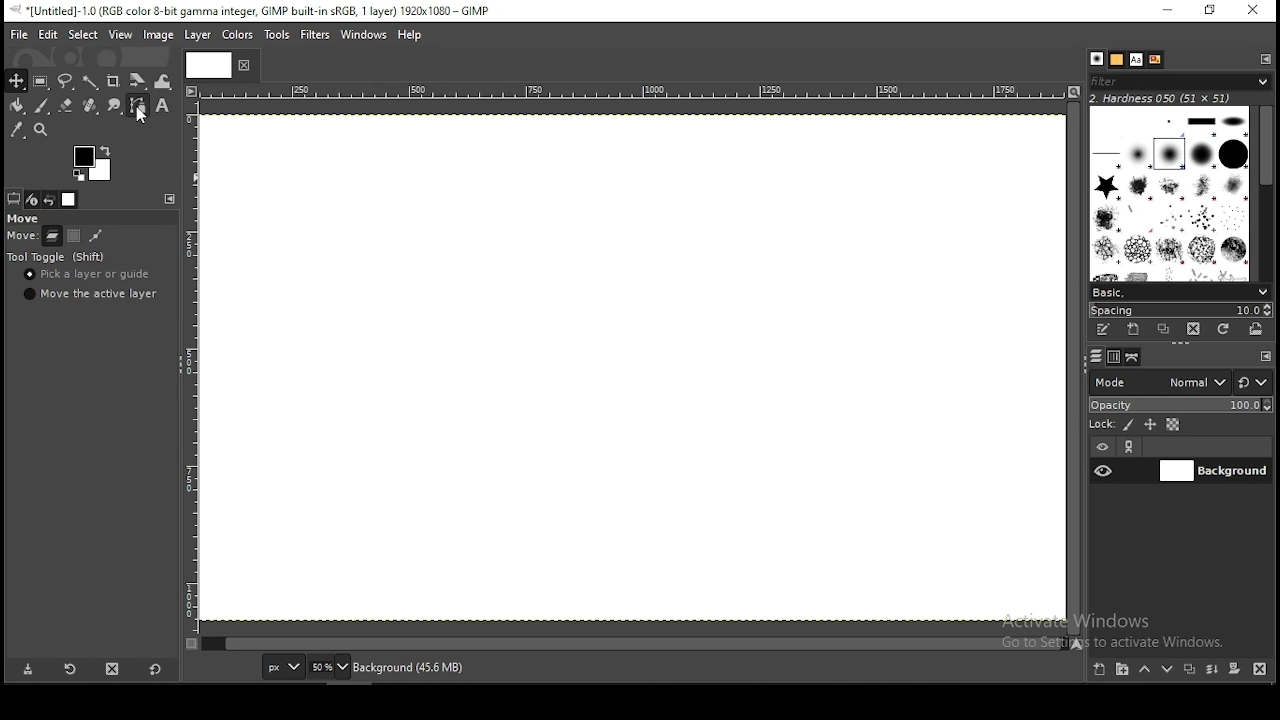 This screenshot has height=720, width=1280. Describe the element at coordinates (1154, 59) in the screenshot. I see `document history` at that location.